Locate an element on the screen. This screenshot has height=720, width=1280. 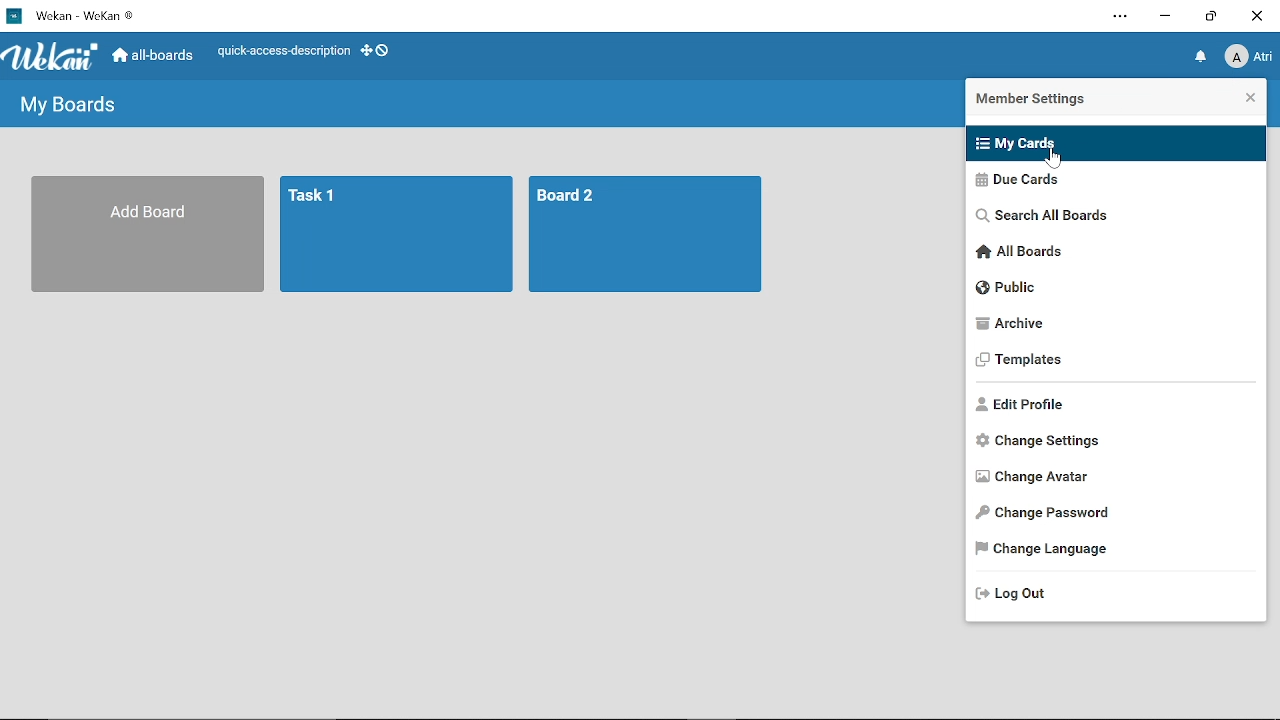
Wekan logo is located at coordinates (52, 58).